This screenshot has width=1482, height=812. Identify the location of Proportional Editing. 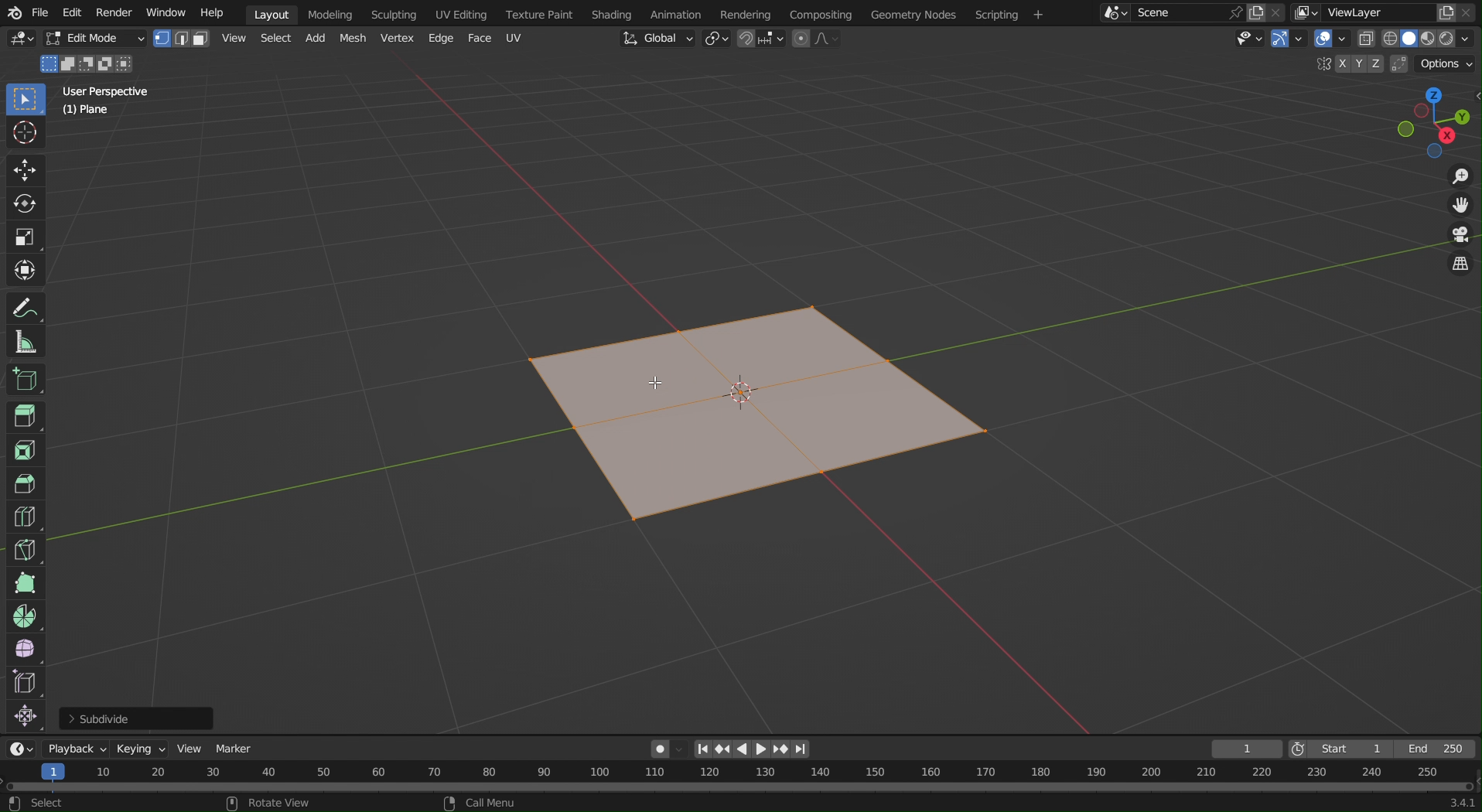
(815, 40).